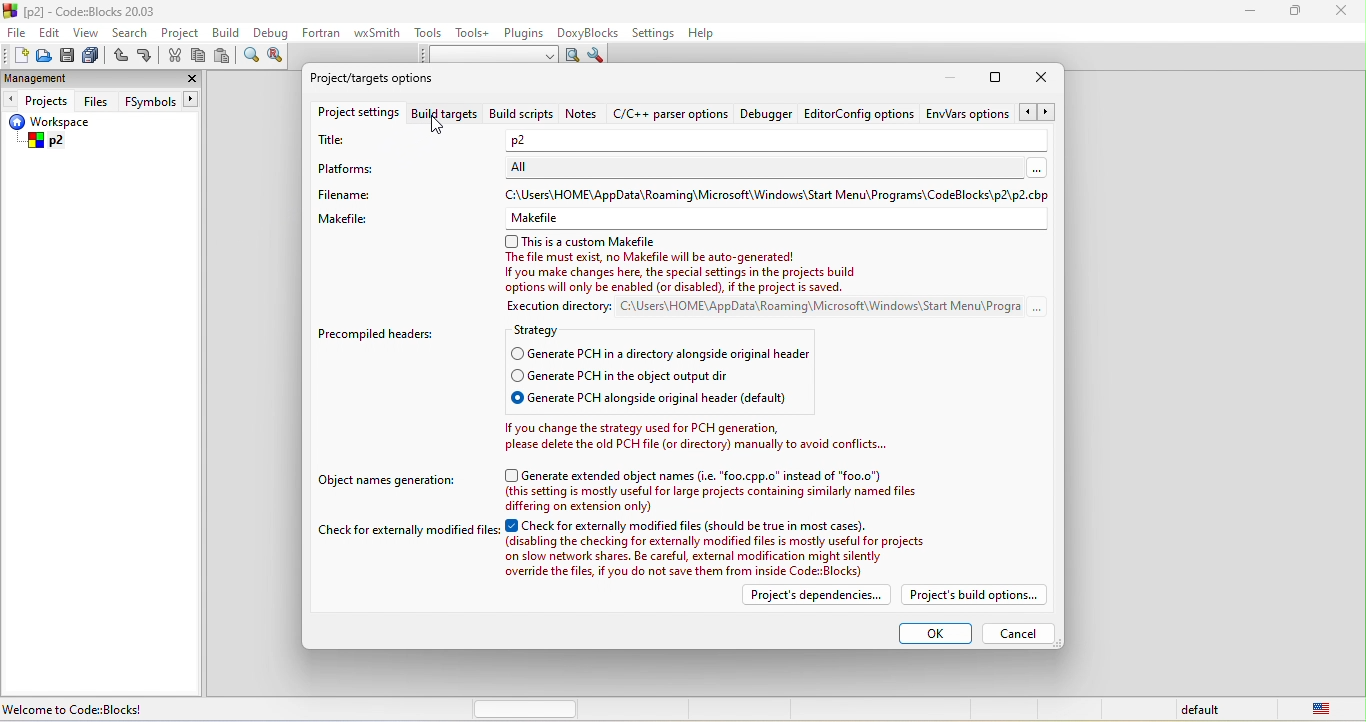 Image resolution: width=1366 pixels, height=722 pixels. Describe the element at coordinates (252, 58) in the screenshot. I see `find` at that location.